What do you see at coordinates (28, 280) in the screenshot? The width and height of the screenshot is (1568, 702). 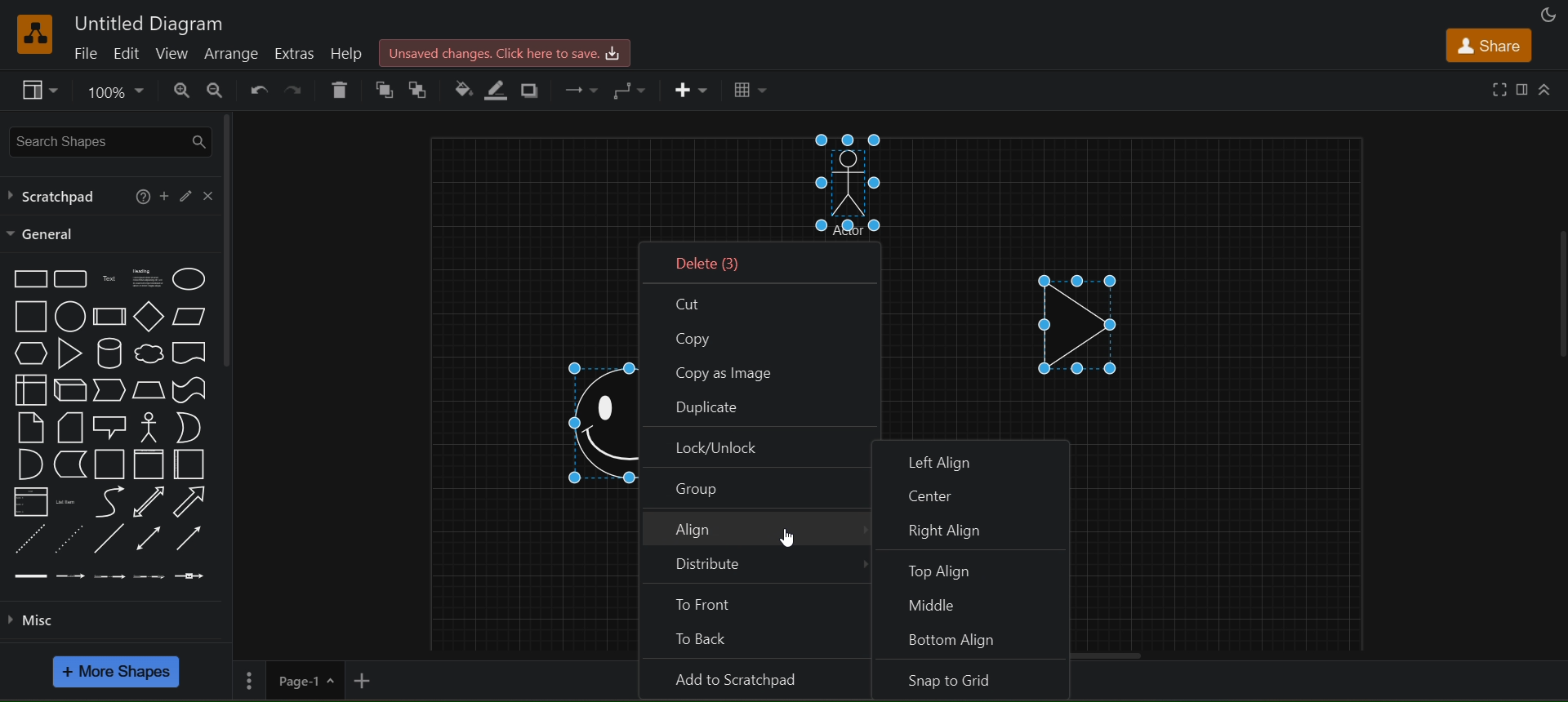 I see `rectangle` at bounding box center [28, 280].